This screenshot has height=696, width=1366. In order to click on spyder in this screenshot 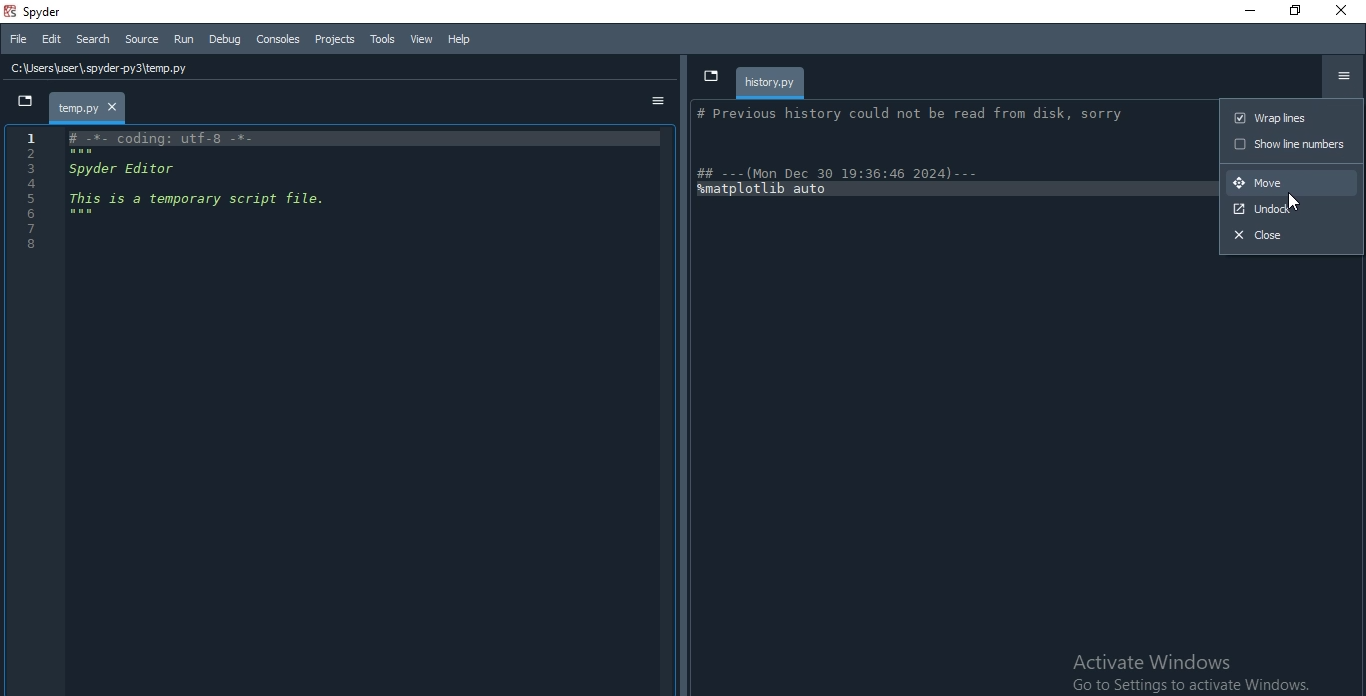, I will do `click(40, 12)`.